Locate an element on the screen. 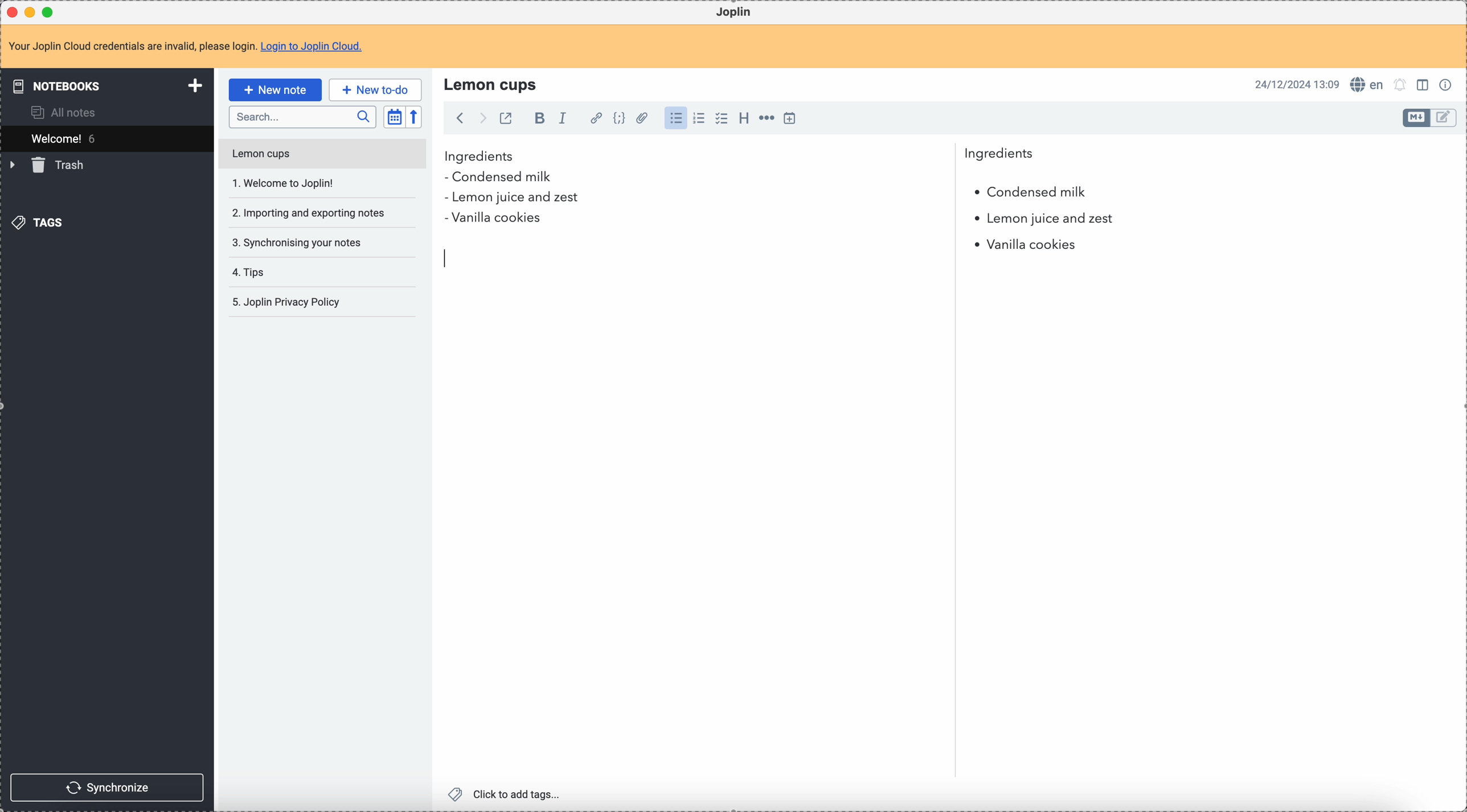 Image resolution: width=1467 pixels, height=812 pixels. search bar is located at coordinates (302, 117).